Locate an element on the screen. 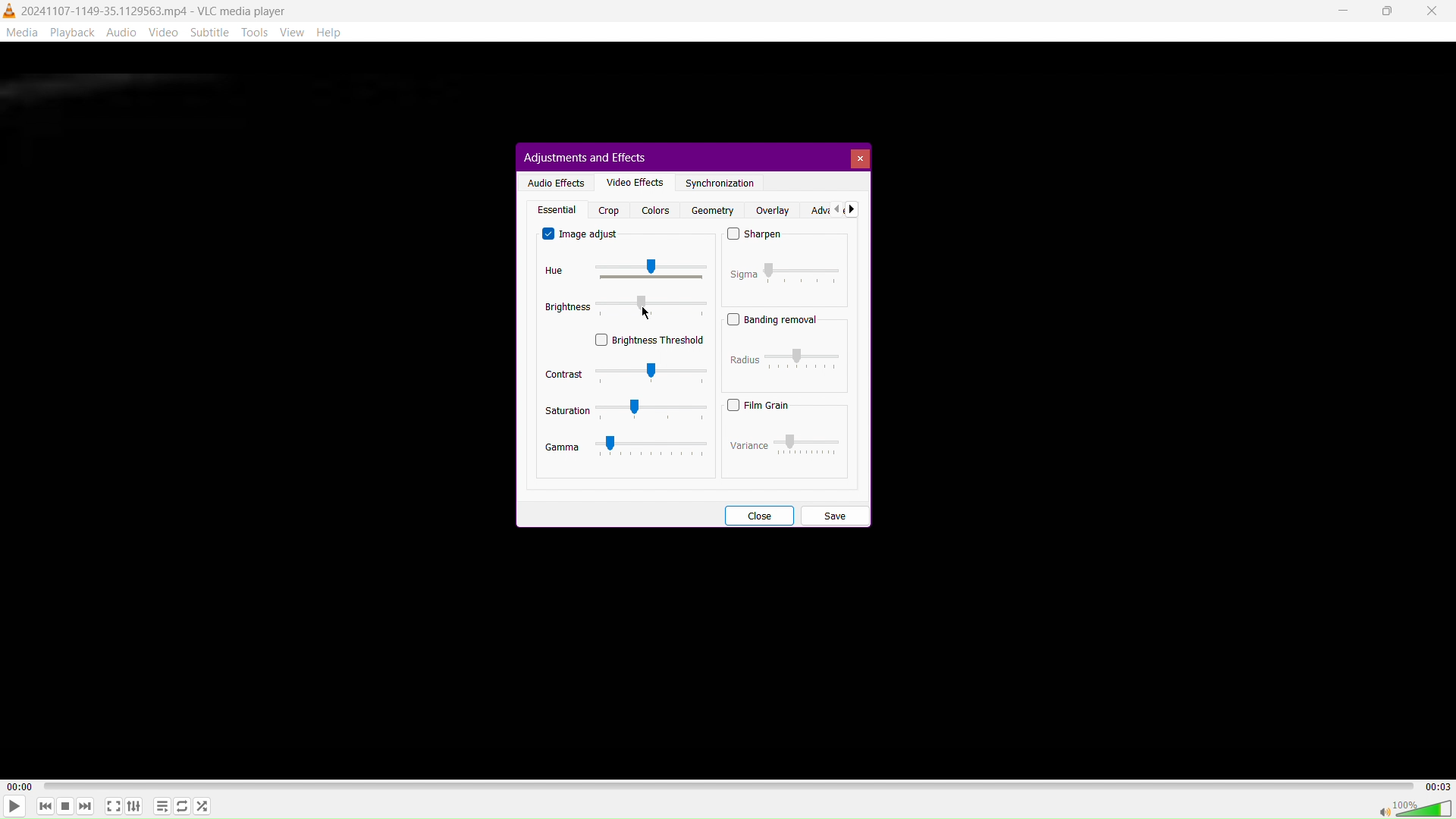 The height and width of the screenshot is (819, 1456). Stop is located at coordinates (64, 808).